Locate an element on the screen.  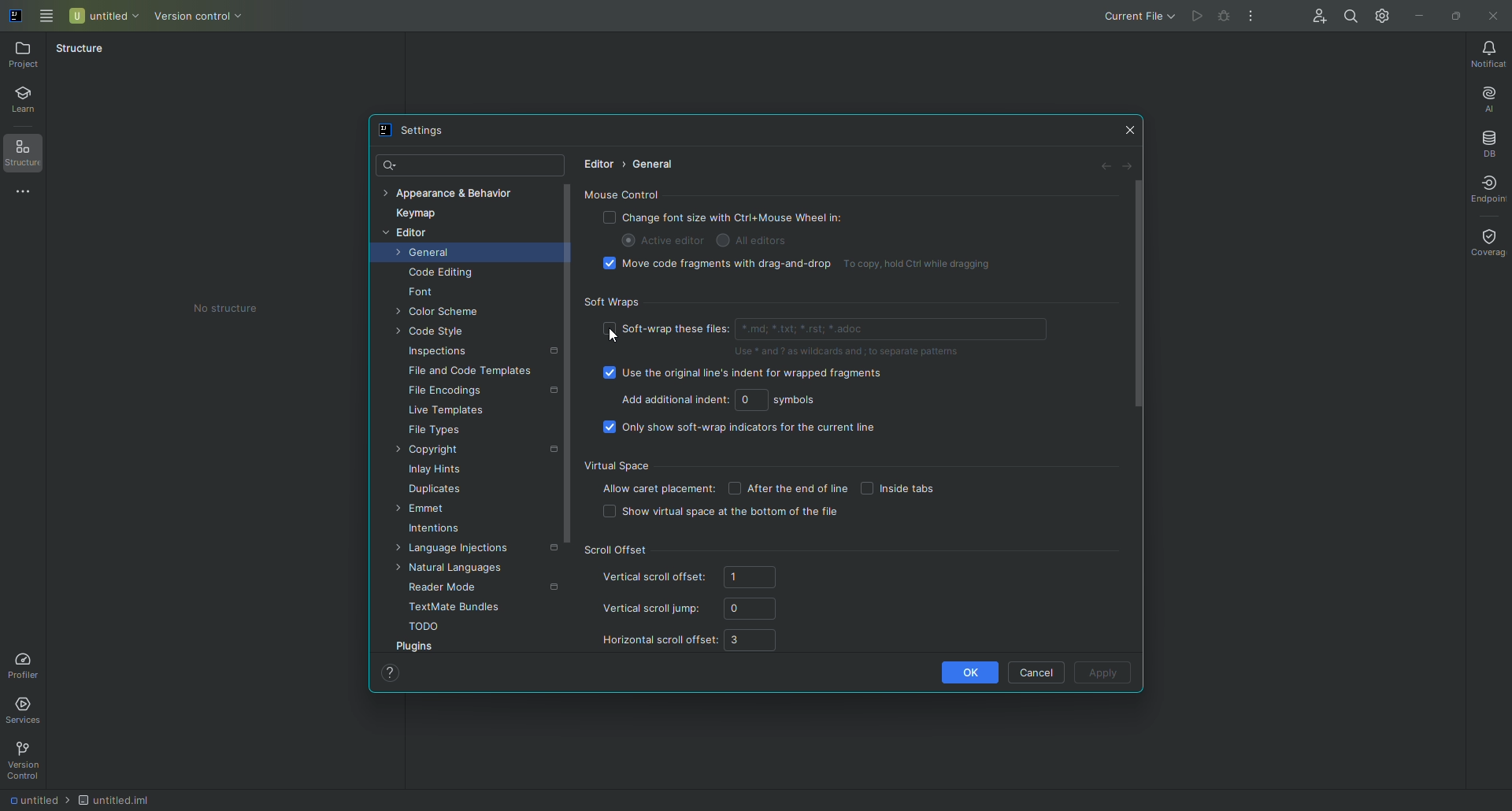
No structure is located at coordinates (234, 311).